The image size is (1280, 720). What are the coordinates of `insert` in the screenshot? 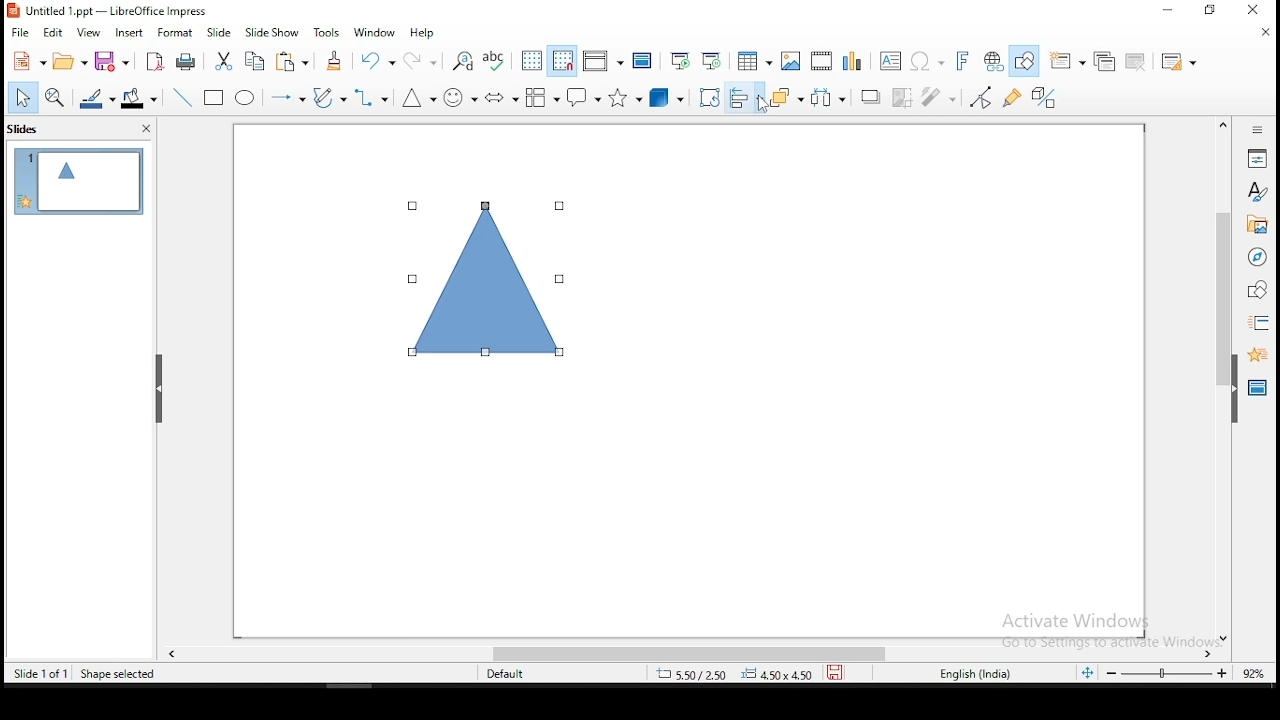 It's located at (131, 32).